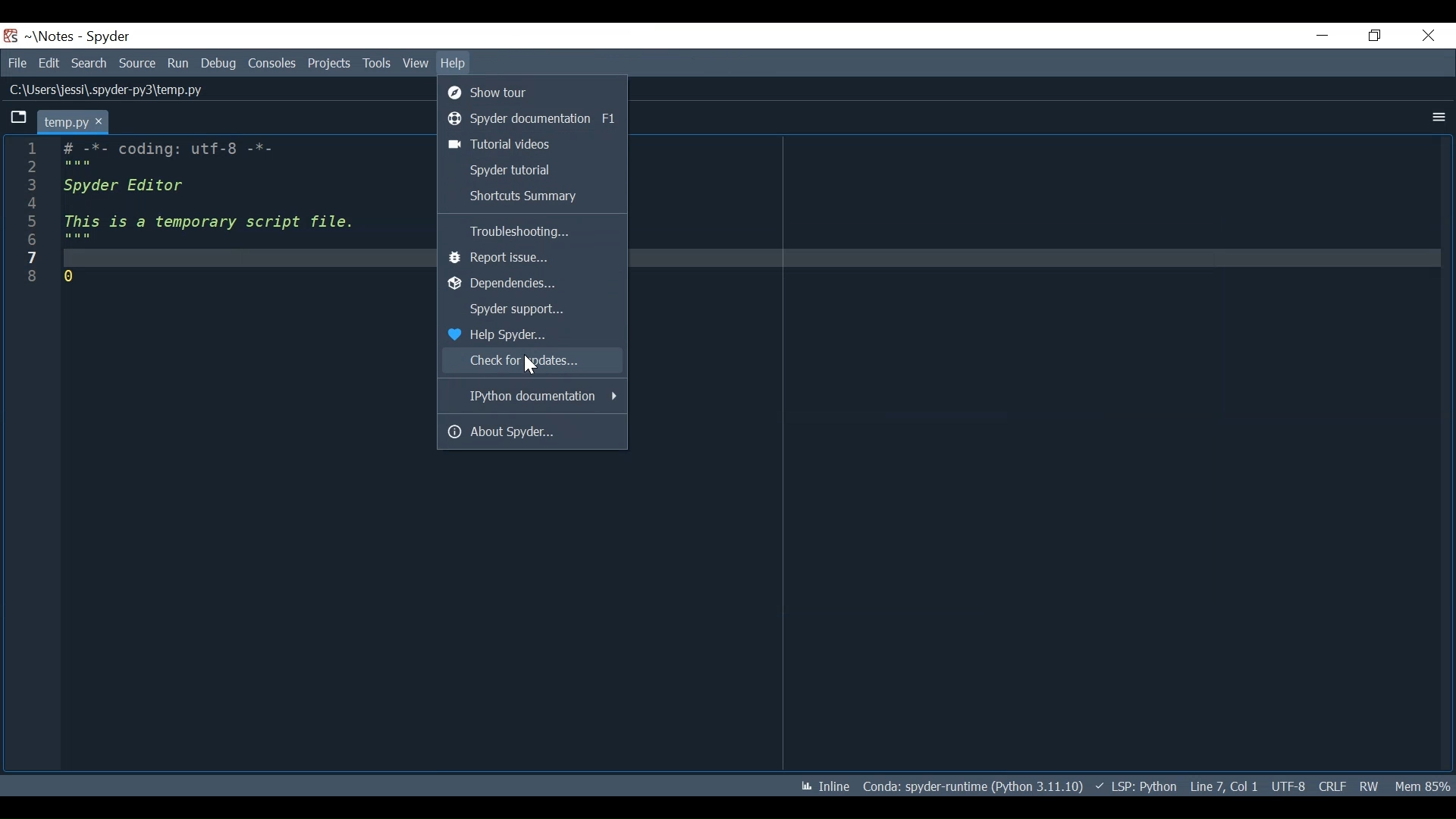 The height and width of the screenshot is (819, 1456). Describe the element at coordinates (529, 257) in the screenshot. I see `Report Issue` at that location.